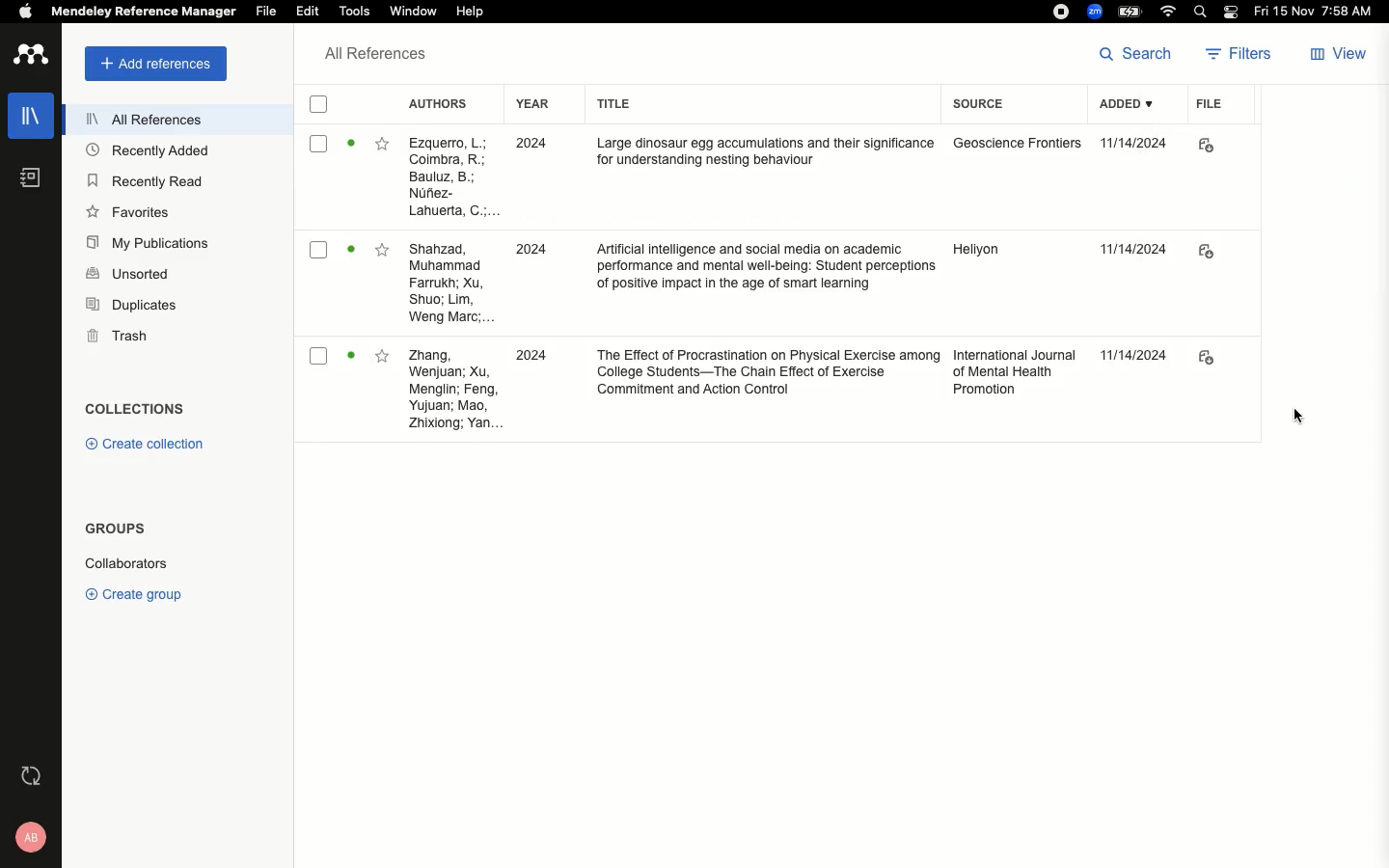 This screenshot has width=1389, height=868. I want to click on Shahzad,
Muhammad
Farrukh; Xu,
Shuo; Lim,, so click(449, 177).